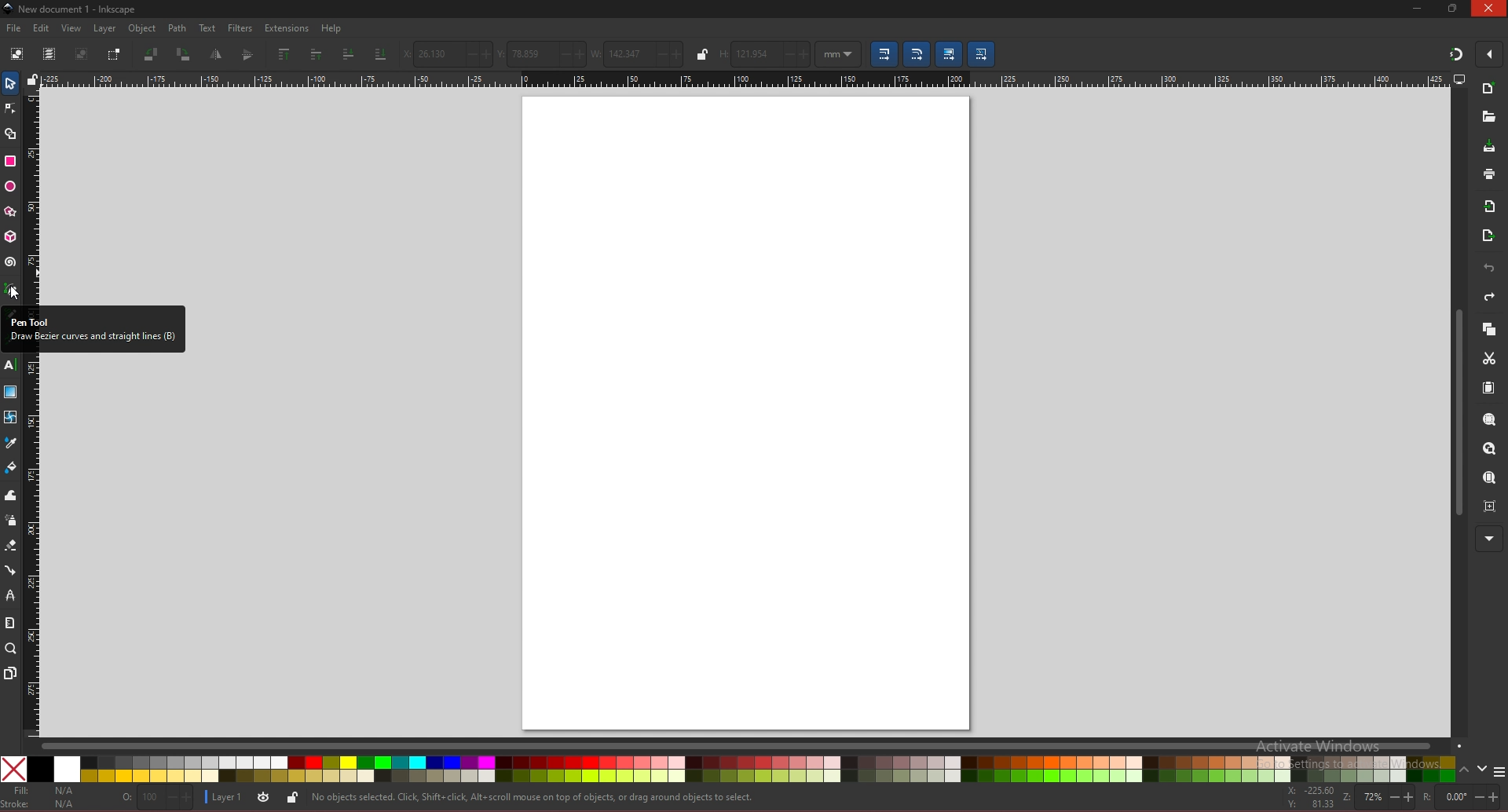 Image resolution: width=1508 pixels, height=812 pixels. I want to click on width, so click(636, 53).